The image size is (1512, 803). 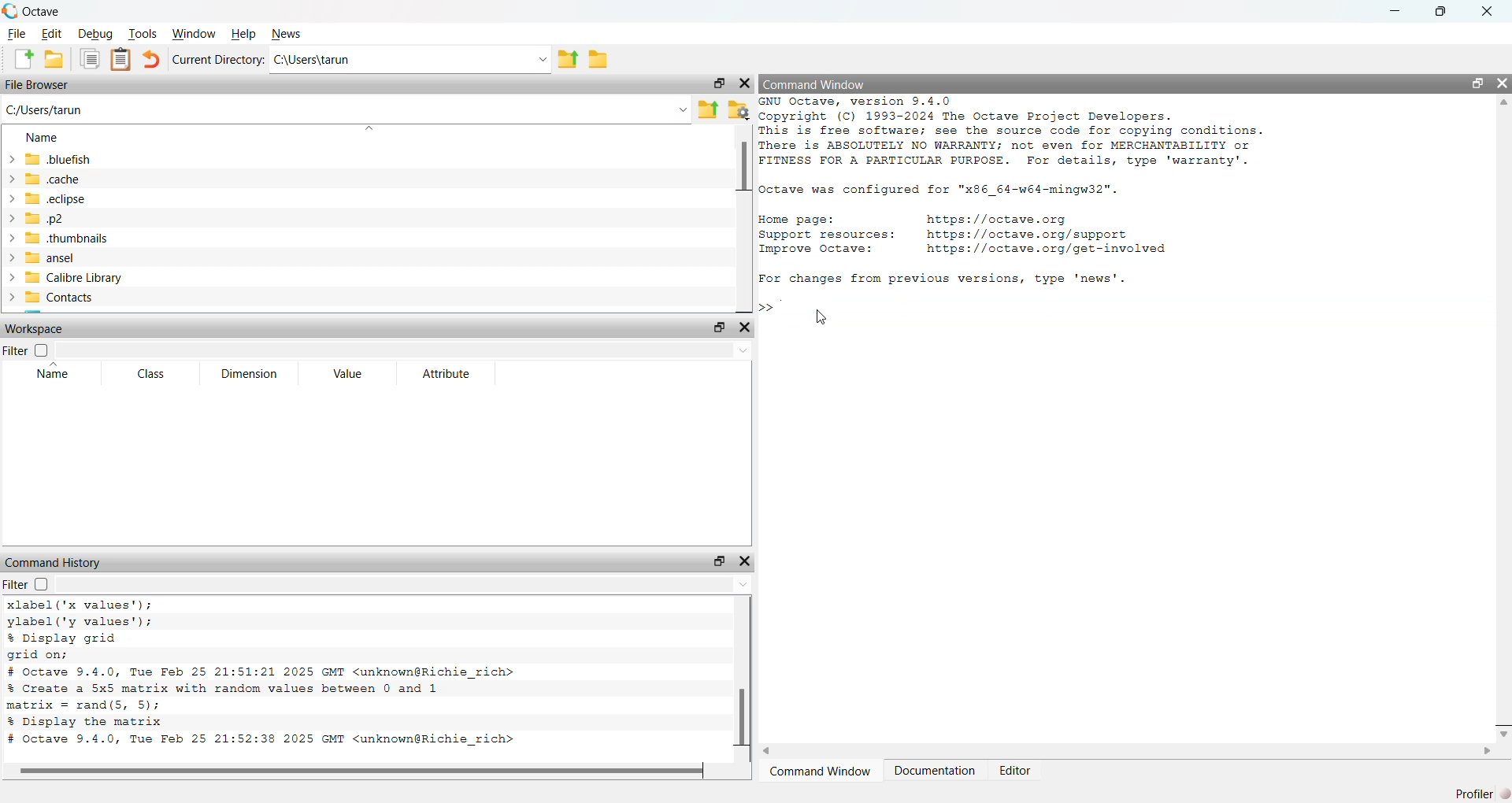 What do you see at coordinates (42, 329) in the screenshot?
I see `Workspace` at bounding box center [42, 329].